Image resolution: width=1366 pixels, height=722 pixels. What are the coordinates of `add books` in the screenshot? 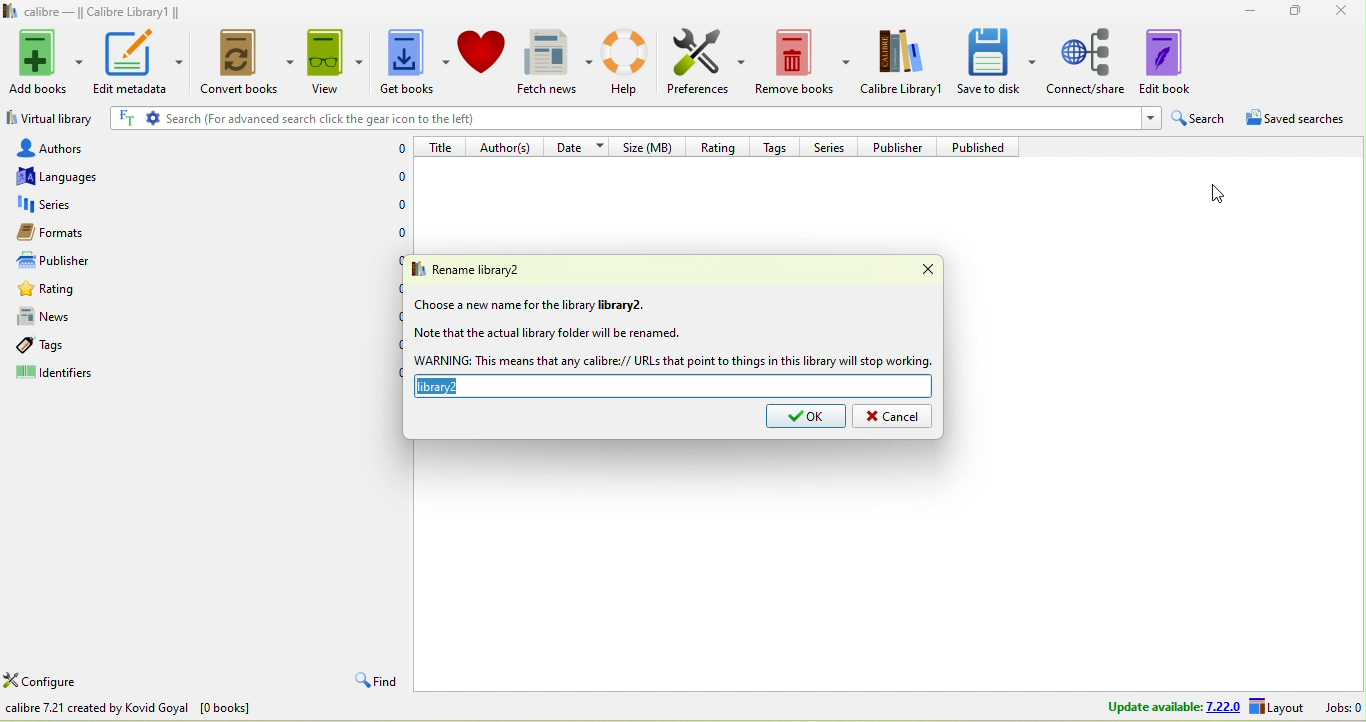 It's located at (47, 59).